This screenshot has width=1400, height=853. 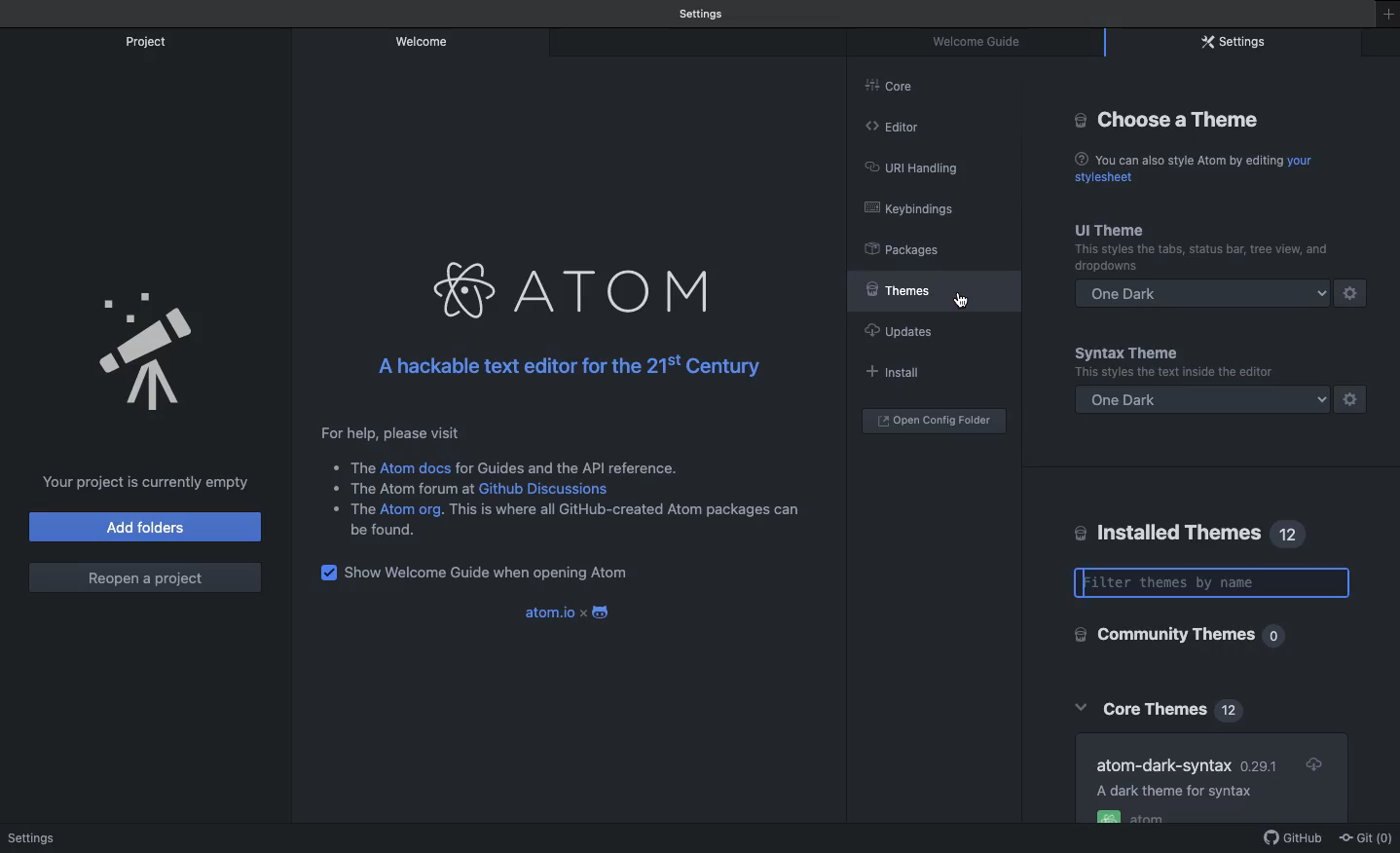 I want to click on Reopen a project, so click(x=147, y=575).